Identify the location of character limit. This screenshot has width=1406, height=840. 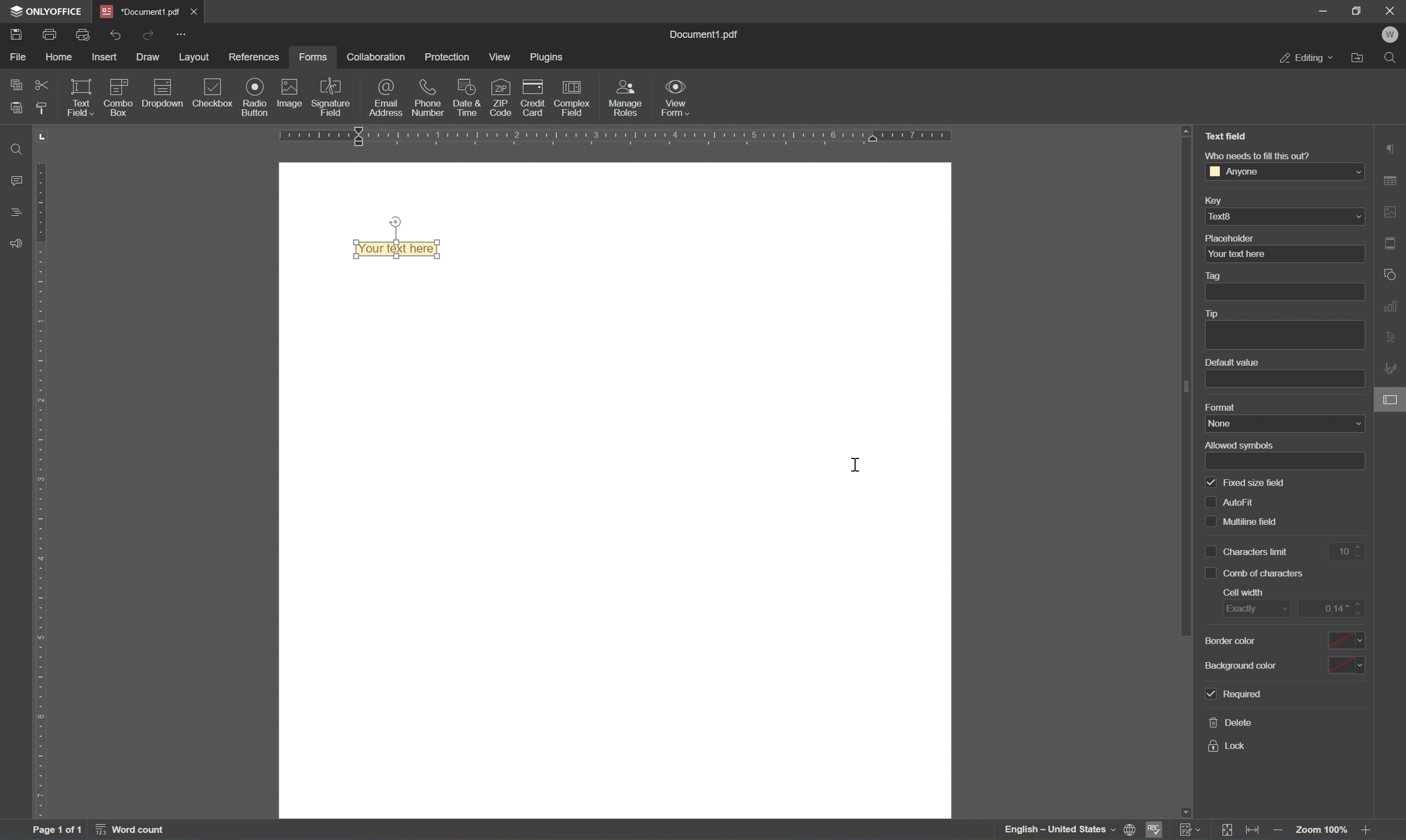
(1249, 551).